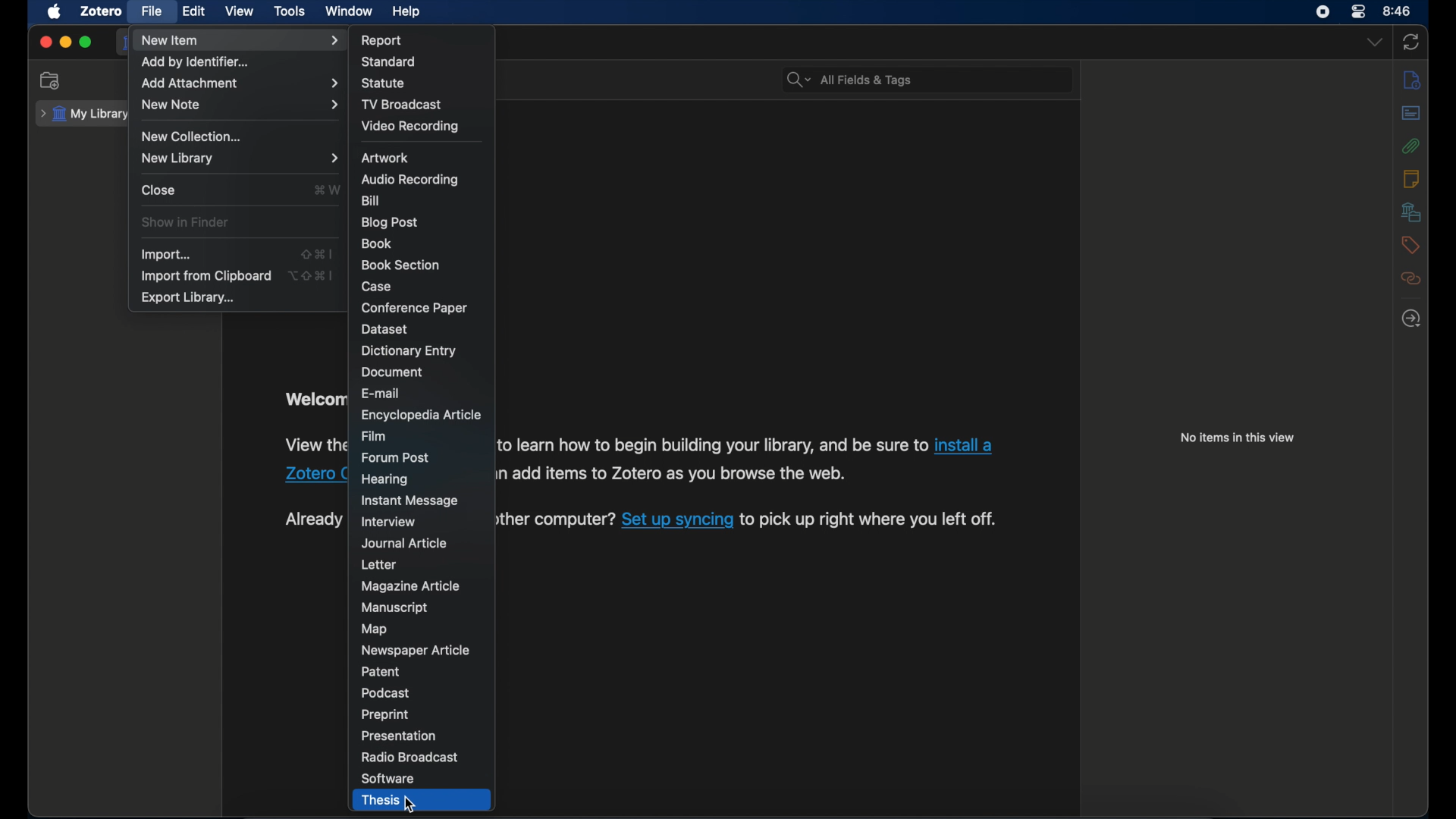  I want to click on help, so click(406, 12).